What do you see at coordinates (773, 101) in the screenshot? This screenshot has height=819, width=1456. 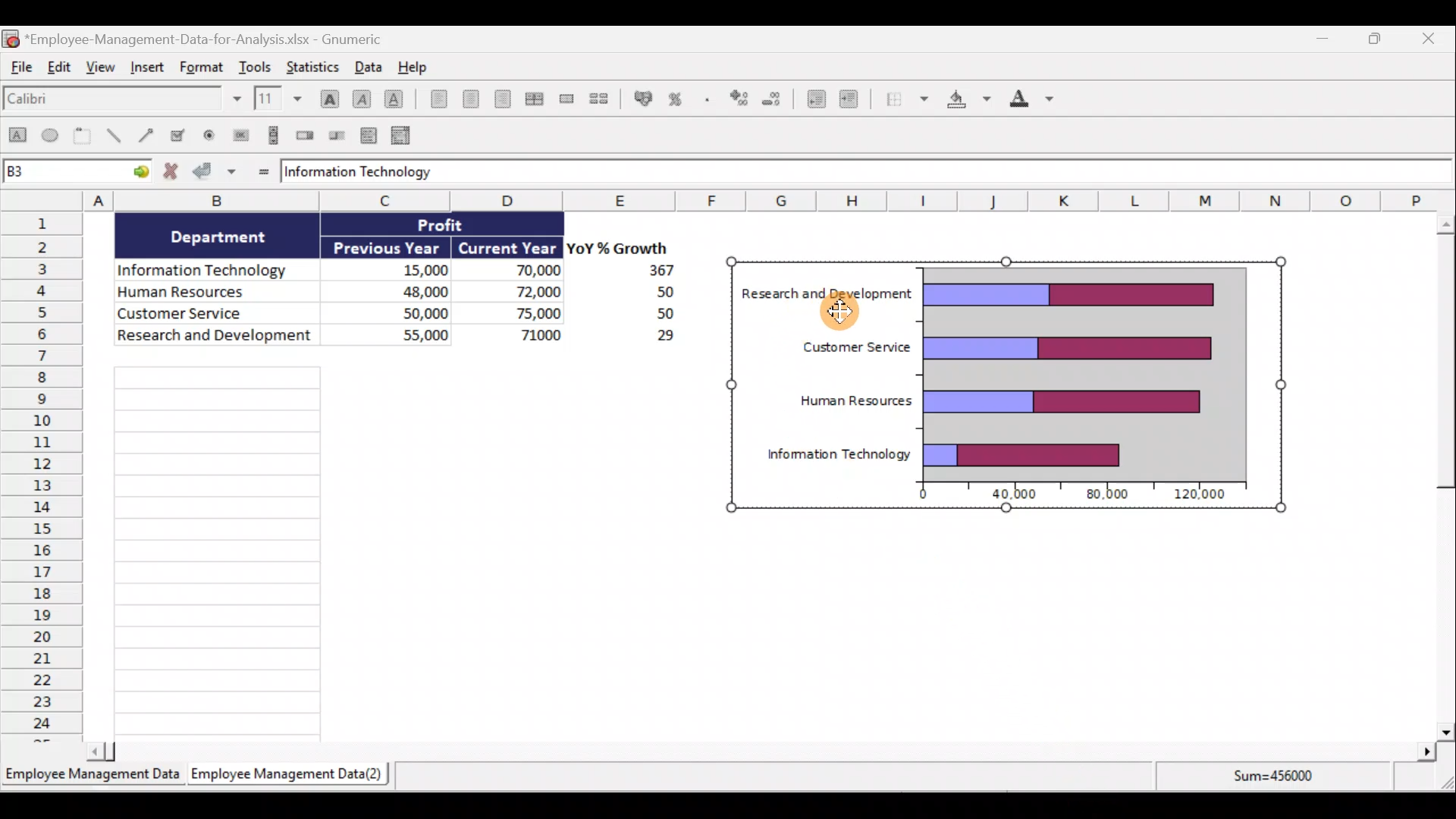 I see `Decrease decimals` at bounding box center [773, 101].